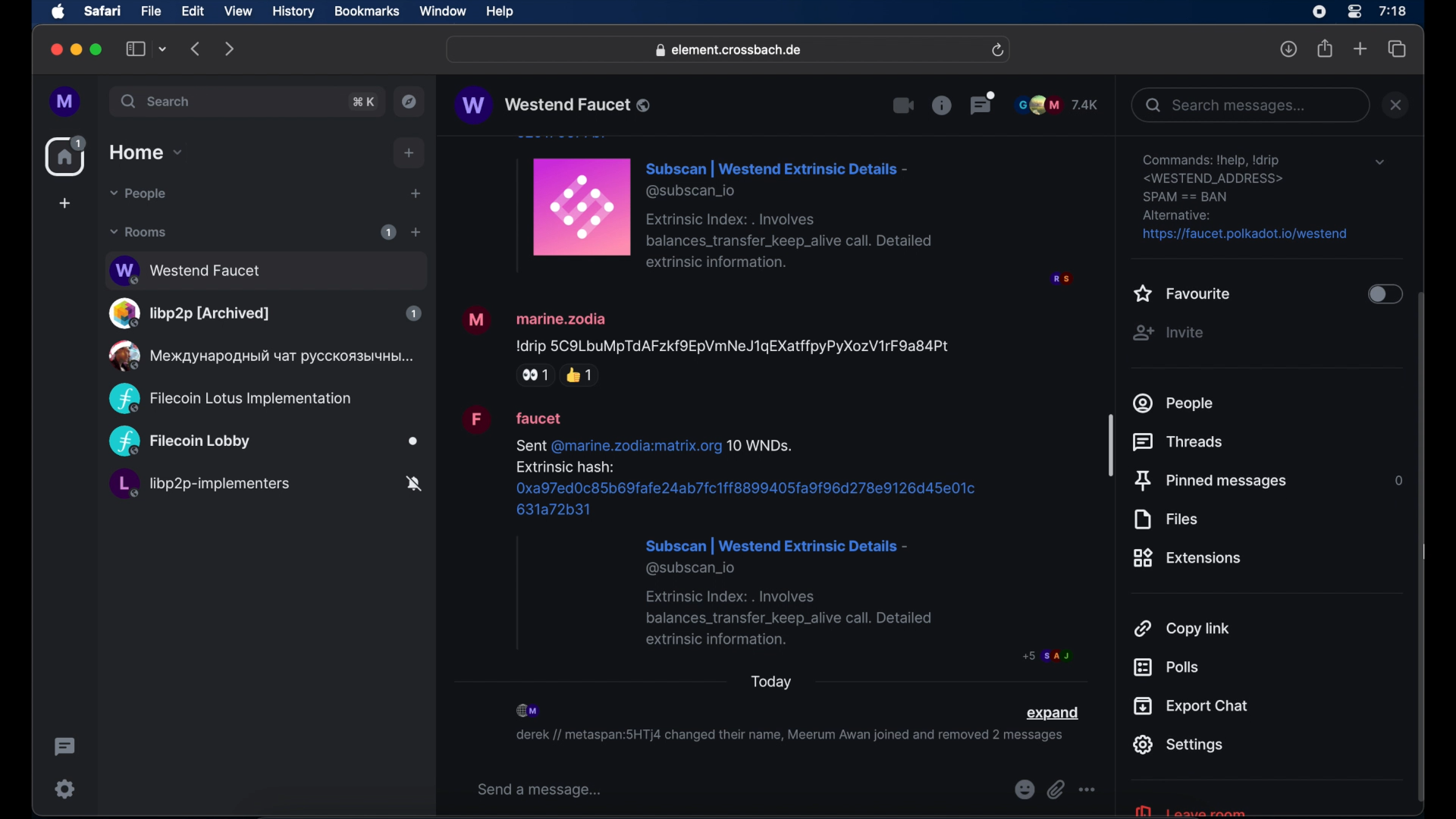 The width and height of the screenshot is (1456, 819). Describe the element at coordinates (1178, 745) in the screenshot. I see `settings` at that location.